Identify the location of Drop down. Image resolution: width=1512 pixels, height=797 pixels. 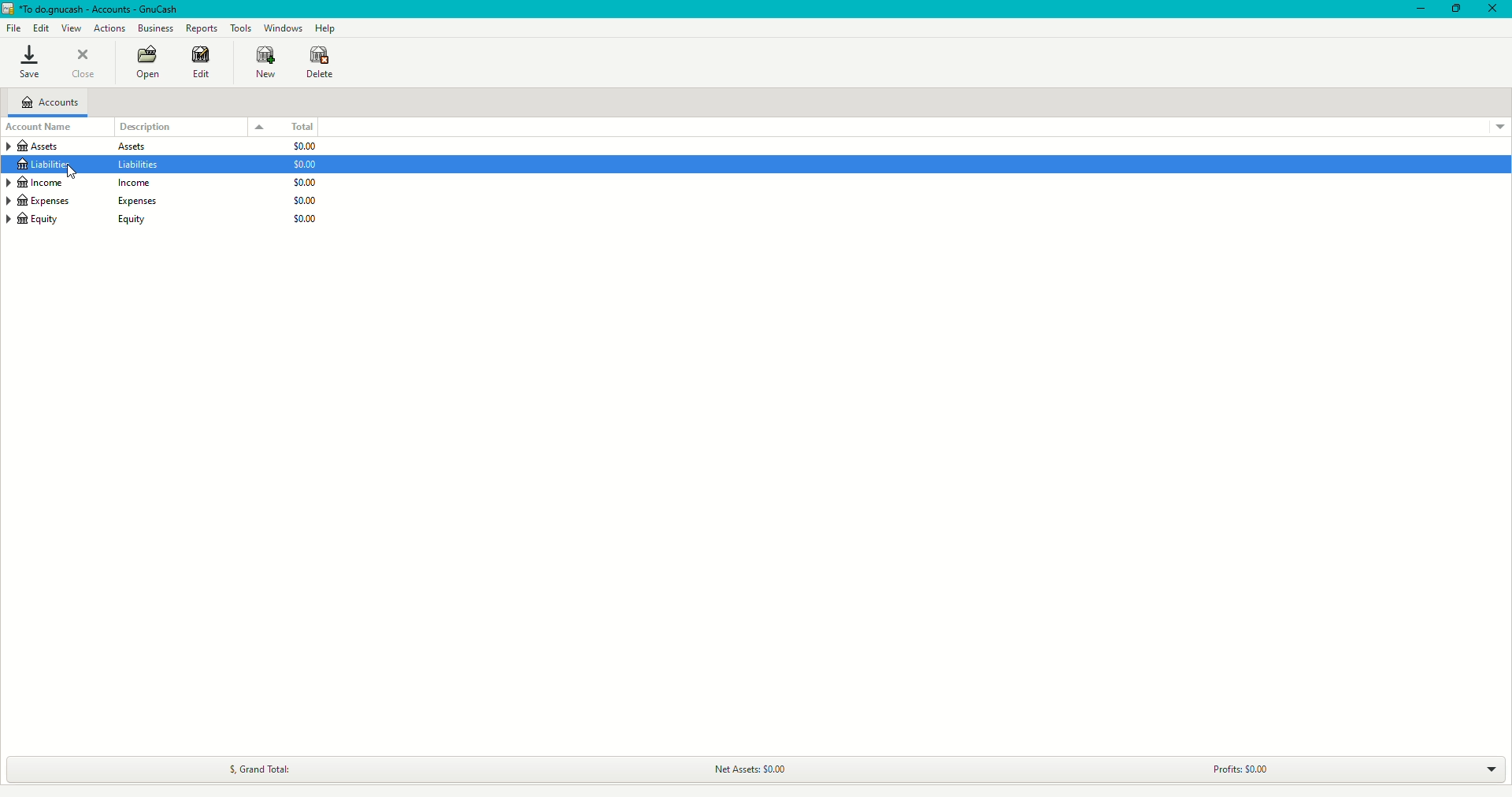
(258, 127).